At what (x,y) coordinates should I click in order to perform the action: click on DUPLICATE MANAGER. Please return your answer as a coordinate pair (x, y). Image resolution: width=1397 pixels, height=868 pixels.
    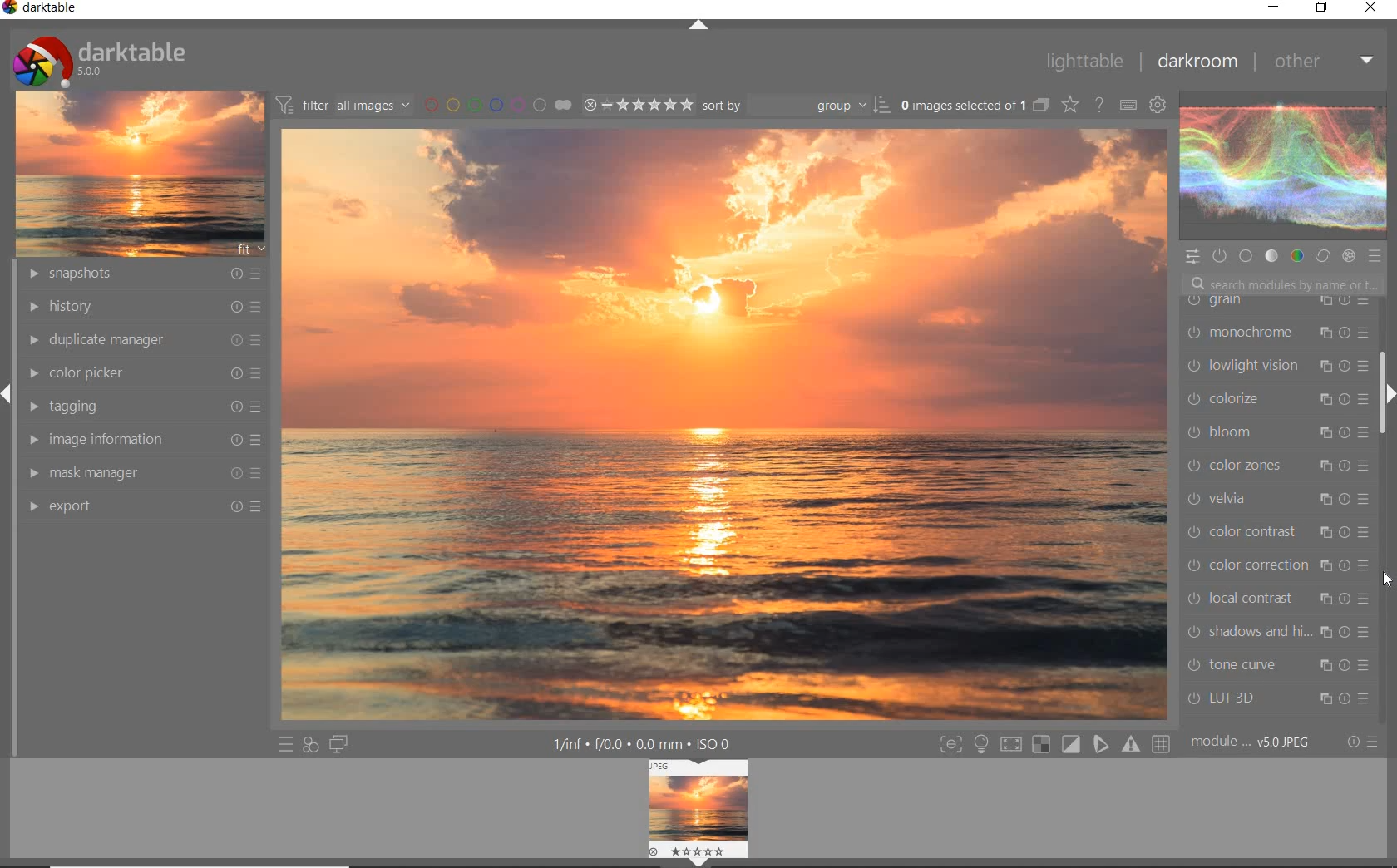
    Looking at the image, I should click on (141, 338).